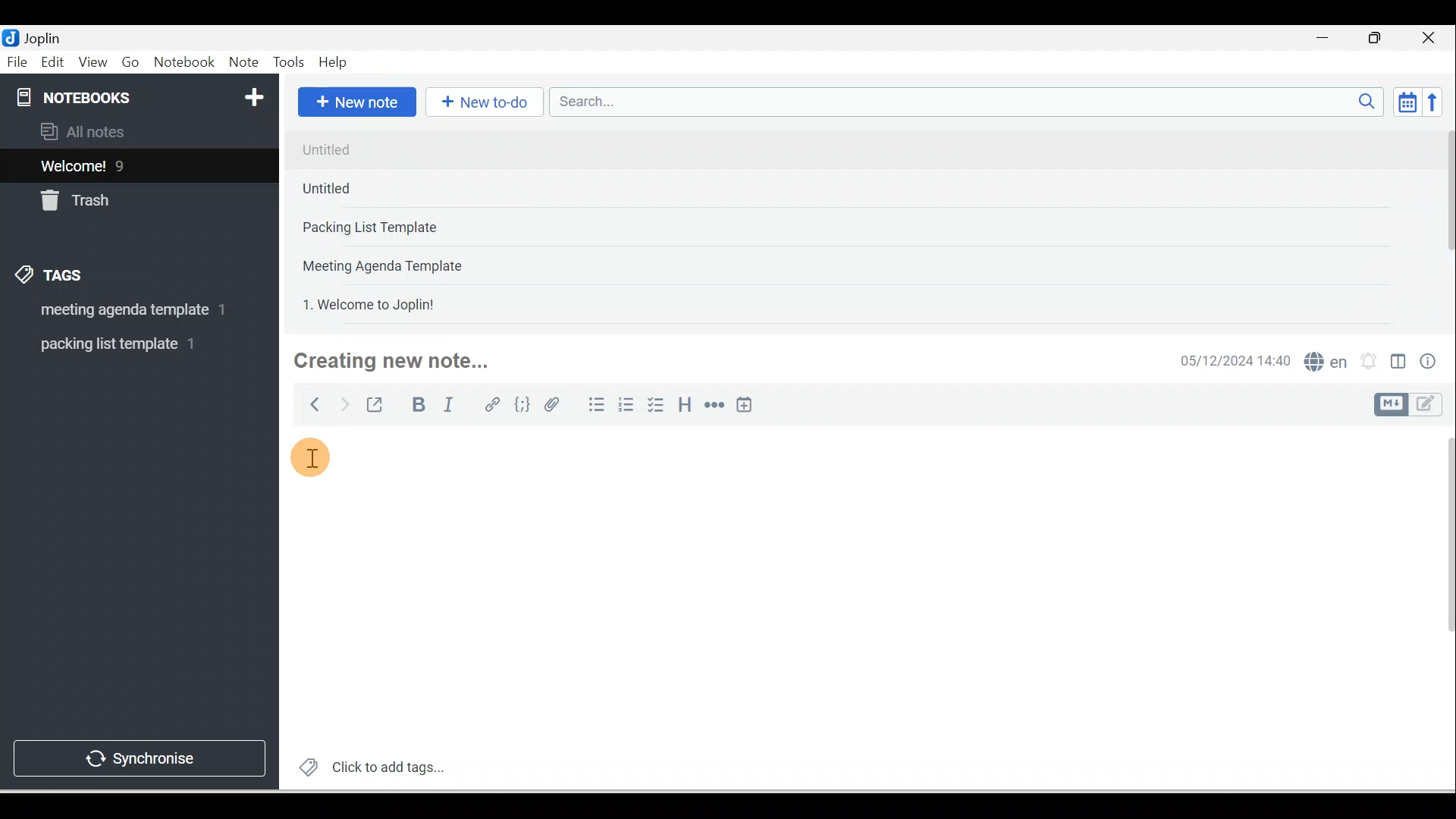  I want to click on Toggle editor layout, so click(1414, 405).